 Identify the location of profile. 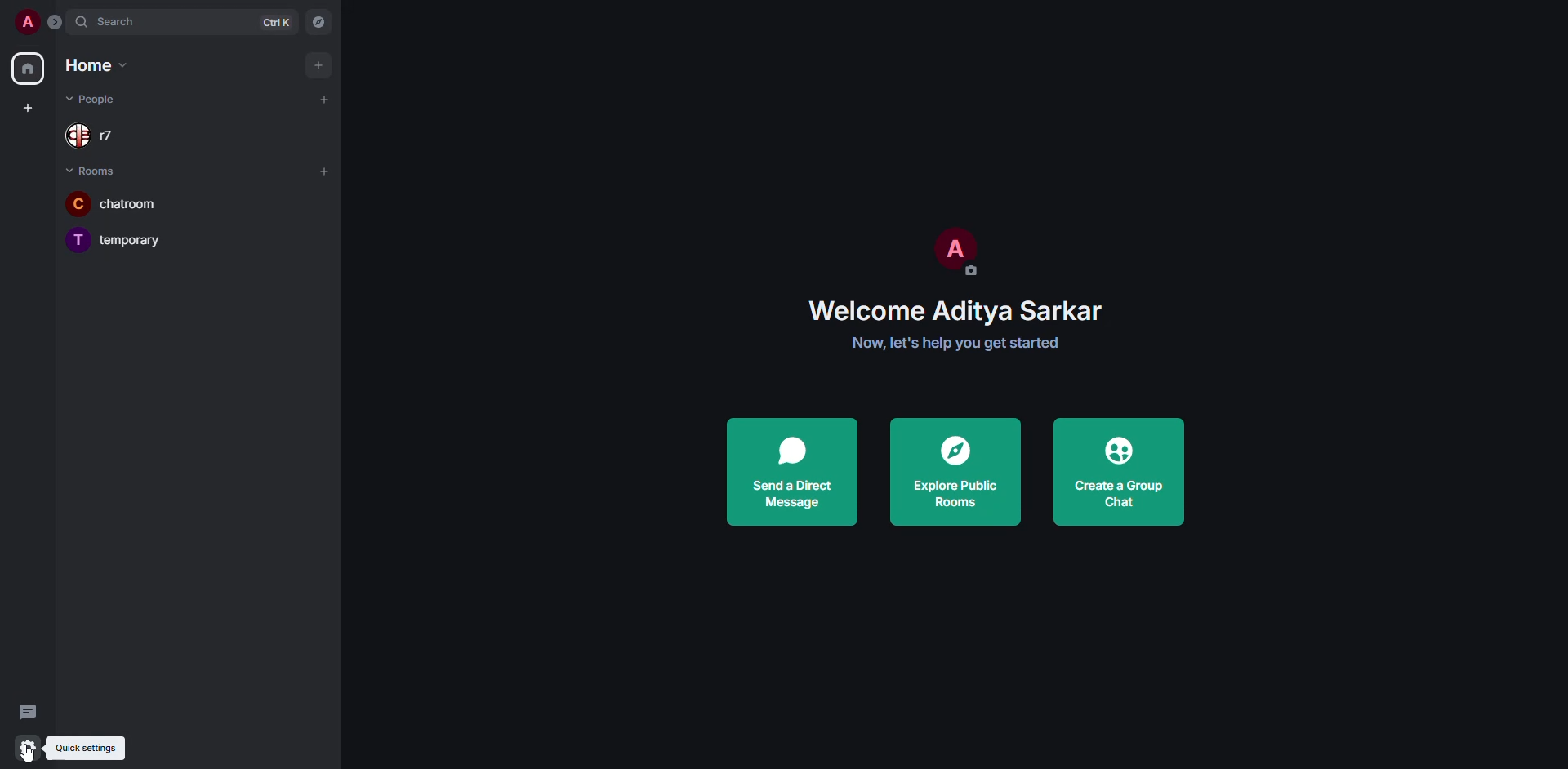
(956, 249).